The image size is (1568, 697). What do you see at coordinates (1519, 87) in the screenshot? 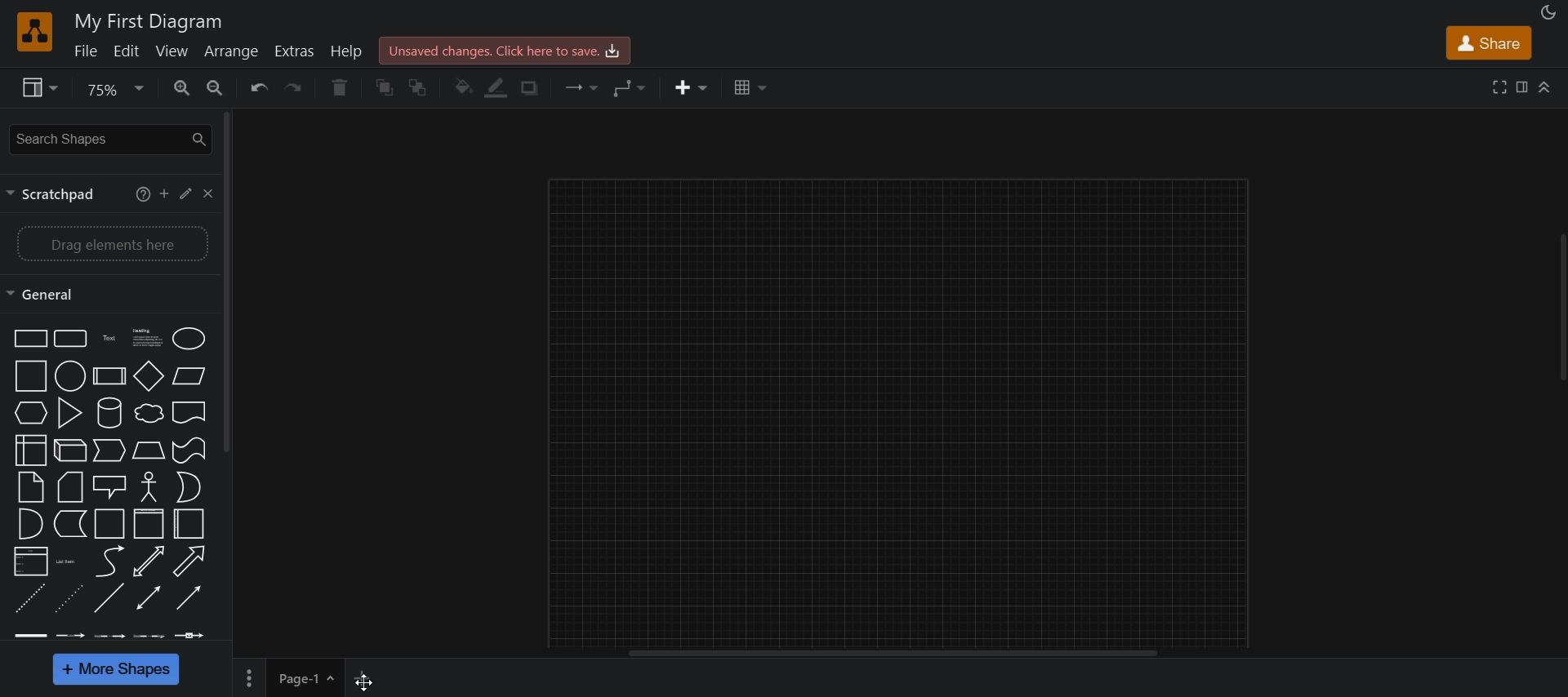
I see `format` at bounding box center [1519, 87].